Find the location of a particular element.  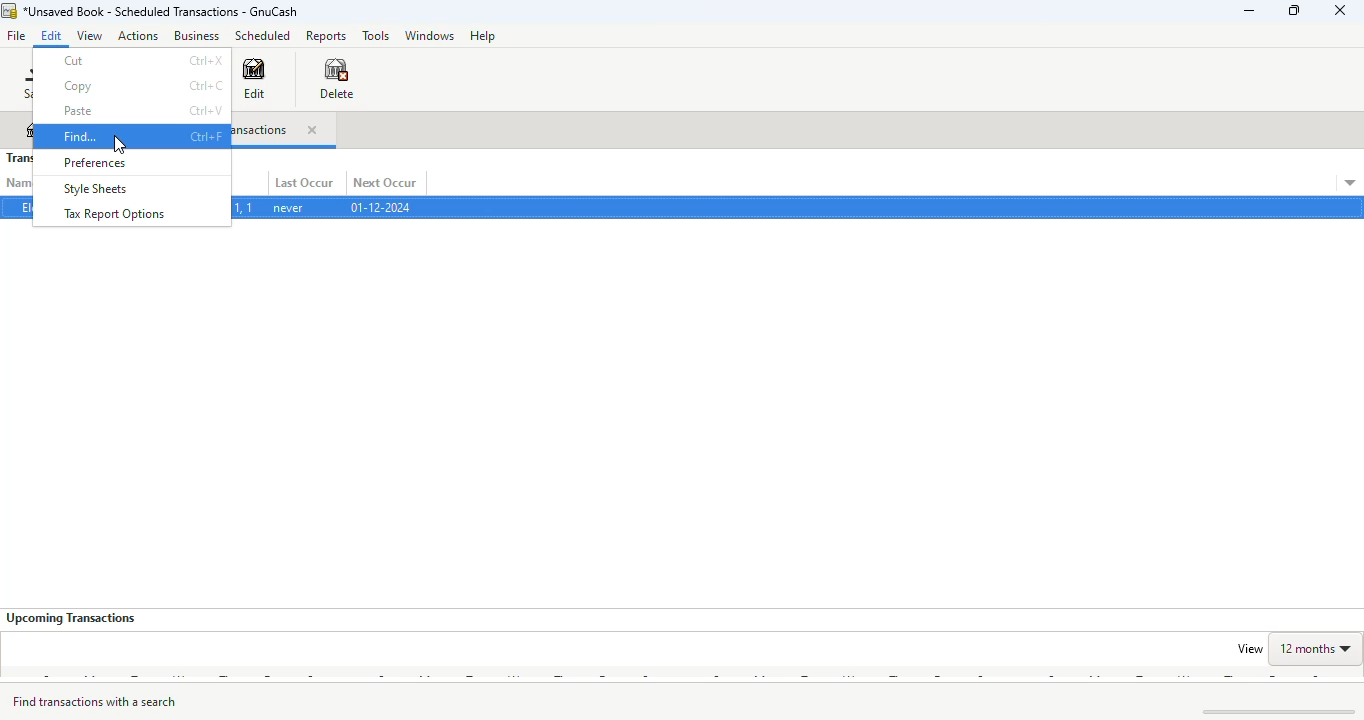

shortcut for paste is located at coordinates (206, 110).